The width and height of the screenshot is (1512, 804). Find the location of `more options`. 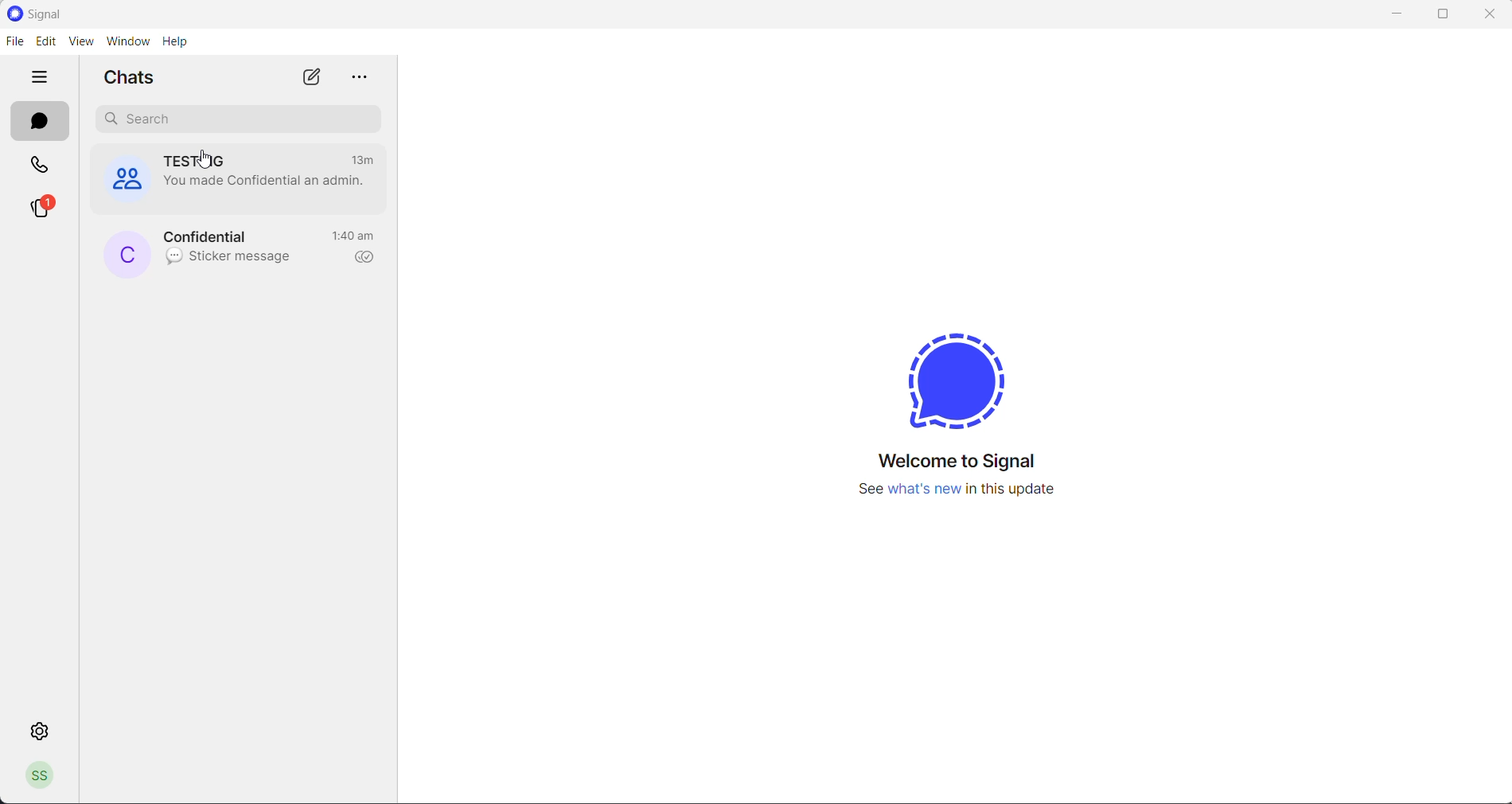

more options is located at coordinates (364, 80).